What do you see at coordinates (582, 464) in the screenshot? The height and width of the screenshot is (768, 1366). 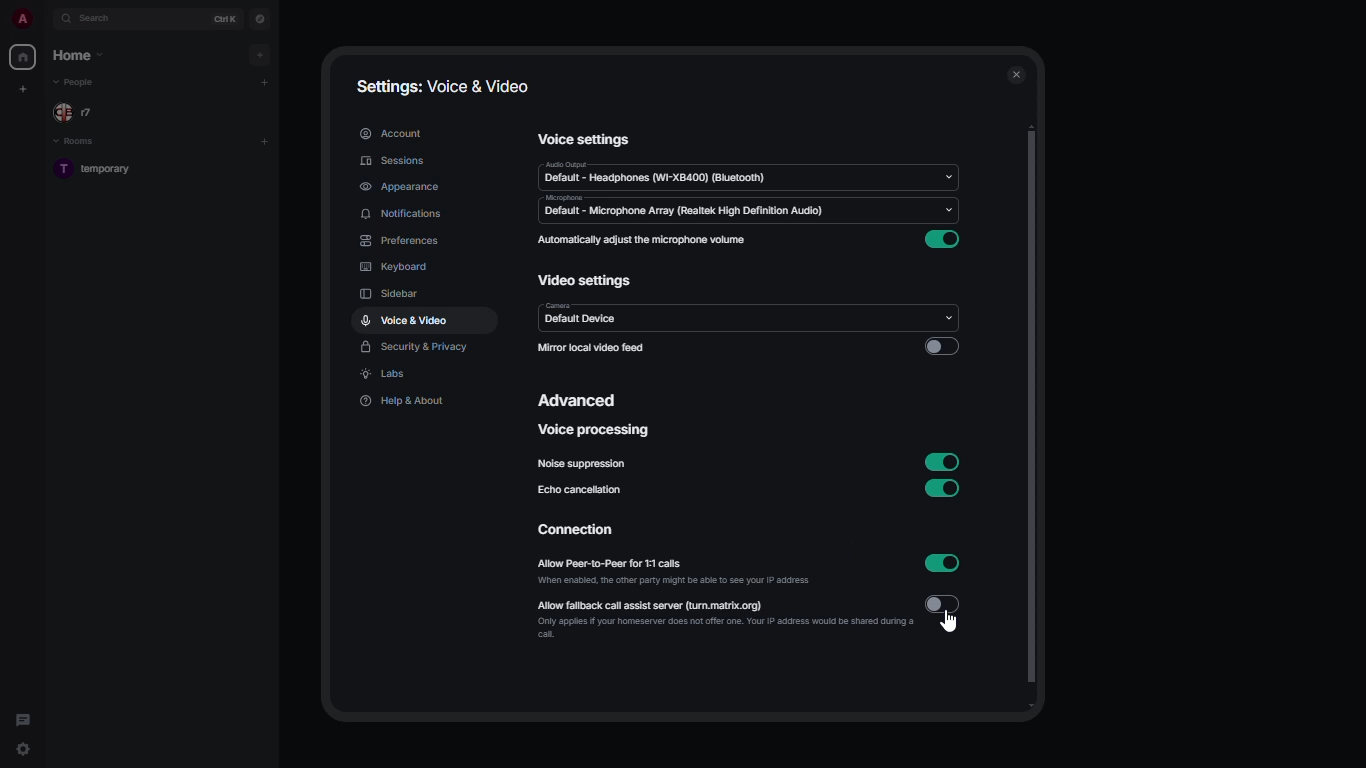 I see `noise suppression` at bounding box center [582, 464].